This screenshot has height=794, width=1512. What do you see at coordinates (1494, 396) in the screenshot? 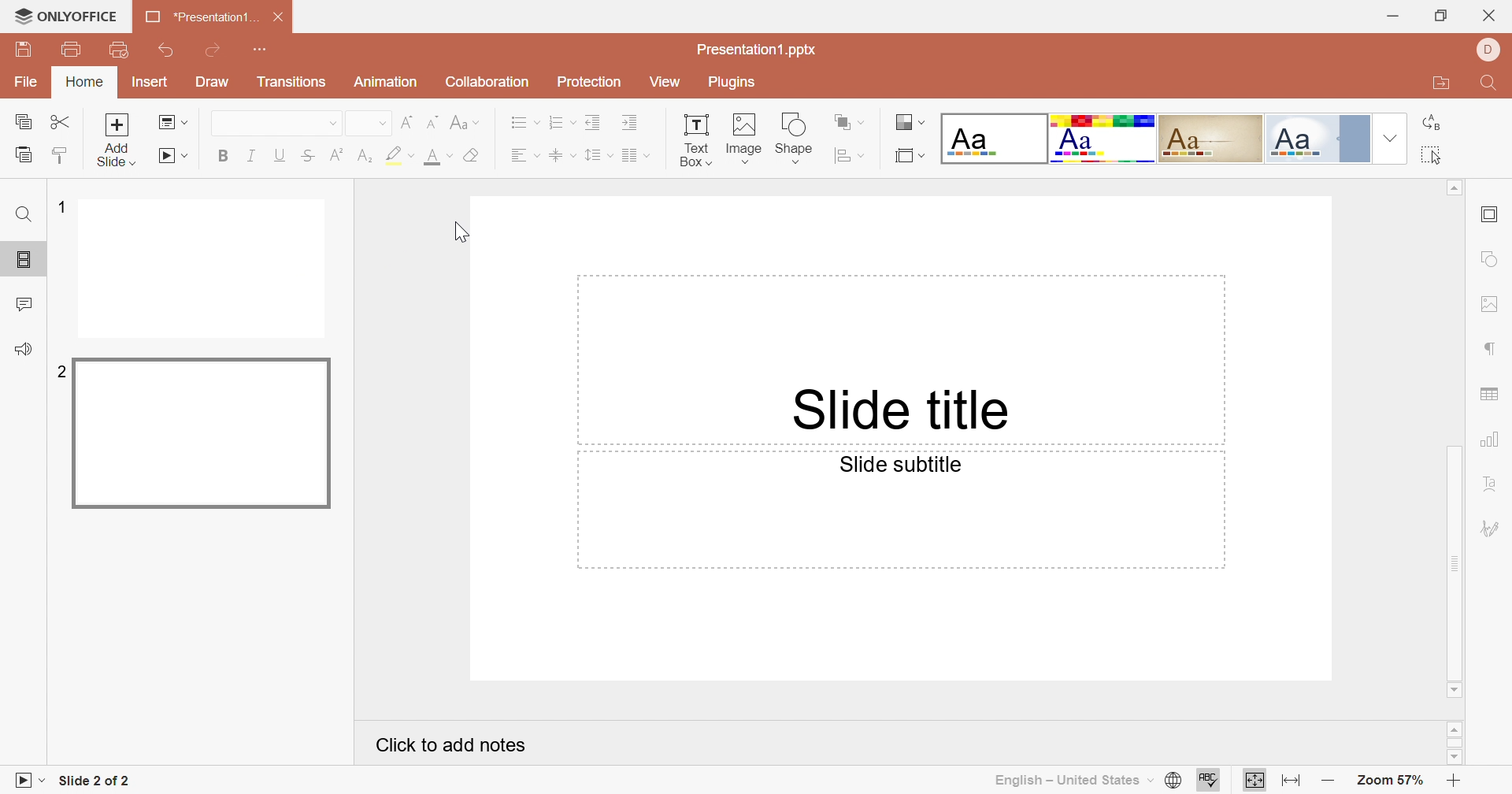
I see `table settings` at bounding box center [1494, 396].